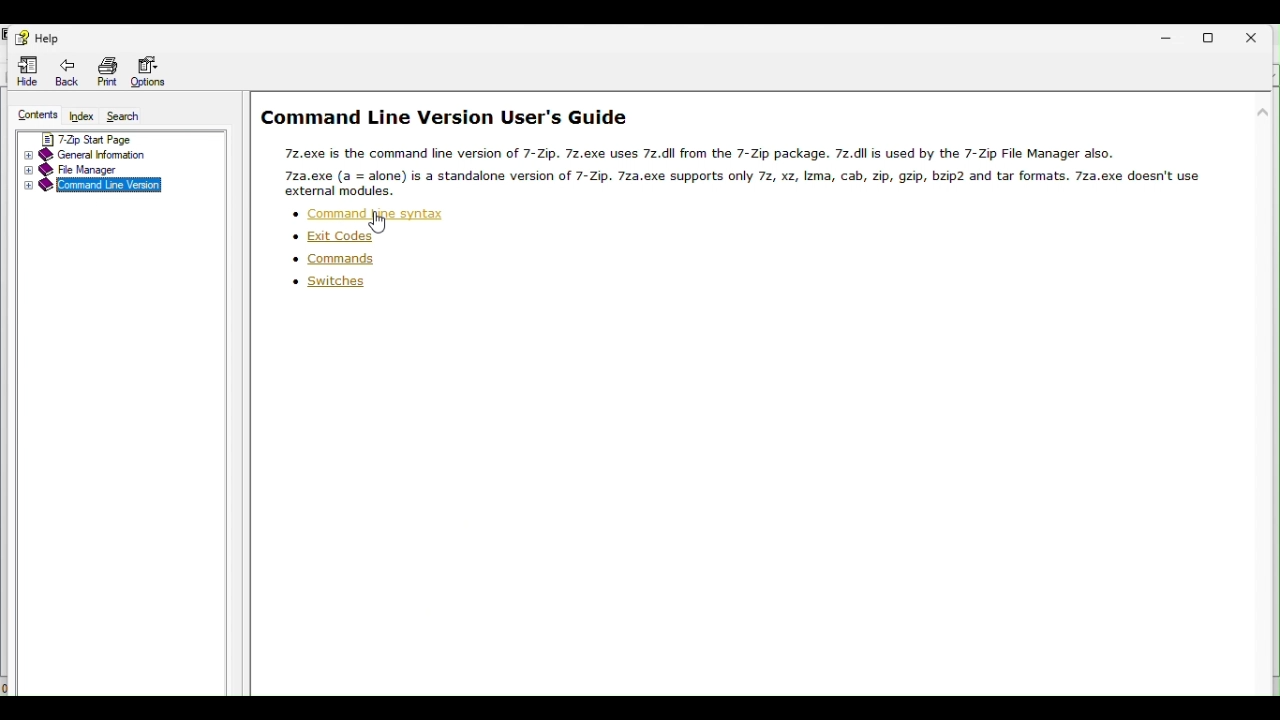  I want to click on Commands, so click(344, 258).